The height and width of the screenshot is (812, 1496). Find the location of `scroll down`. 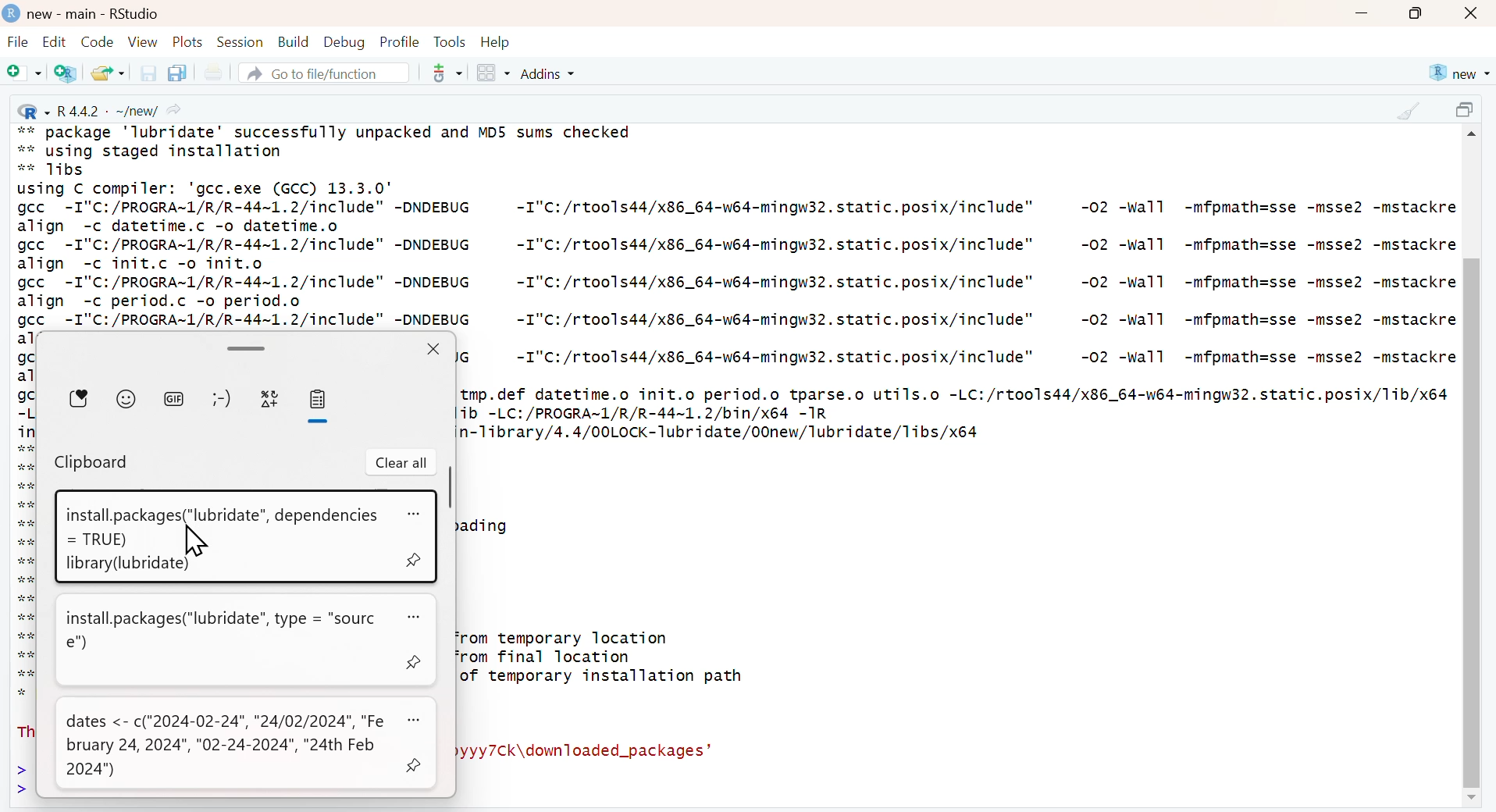

scroll down is located at coordinates (1469, 799).